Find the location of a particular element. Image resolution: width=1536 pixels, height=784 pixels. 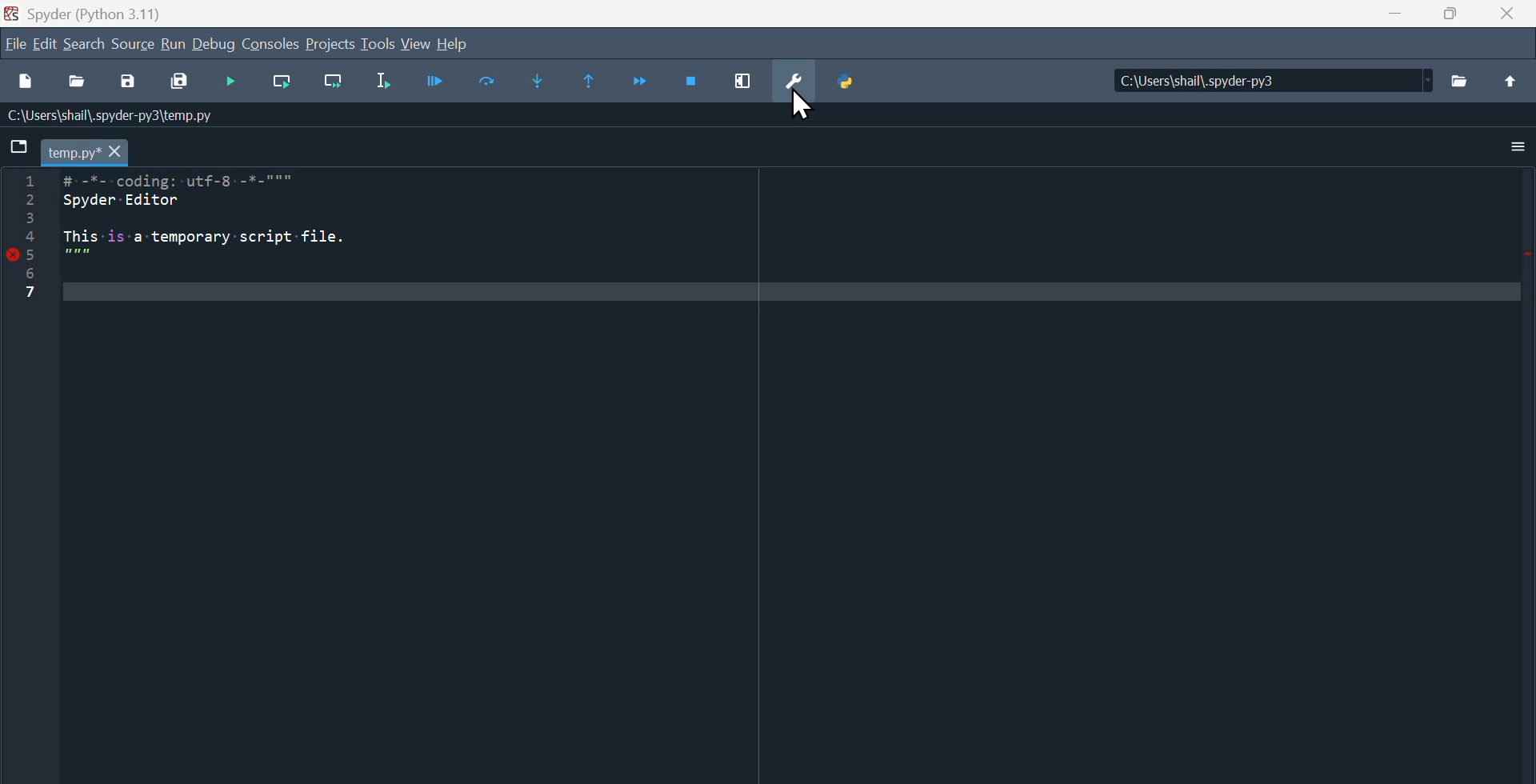

Locations of the fire is located at coordinates (1264, 86).